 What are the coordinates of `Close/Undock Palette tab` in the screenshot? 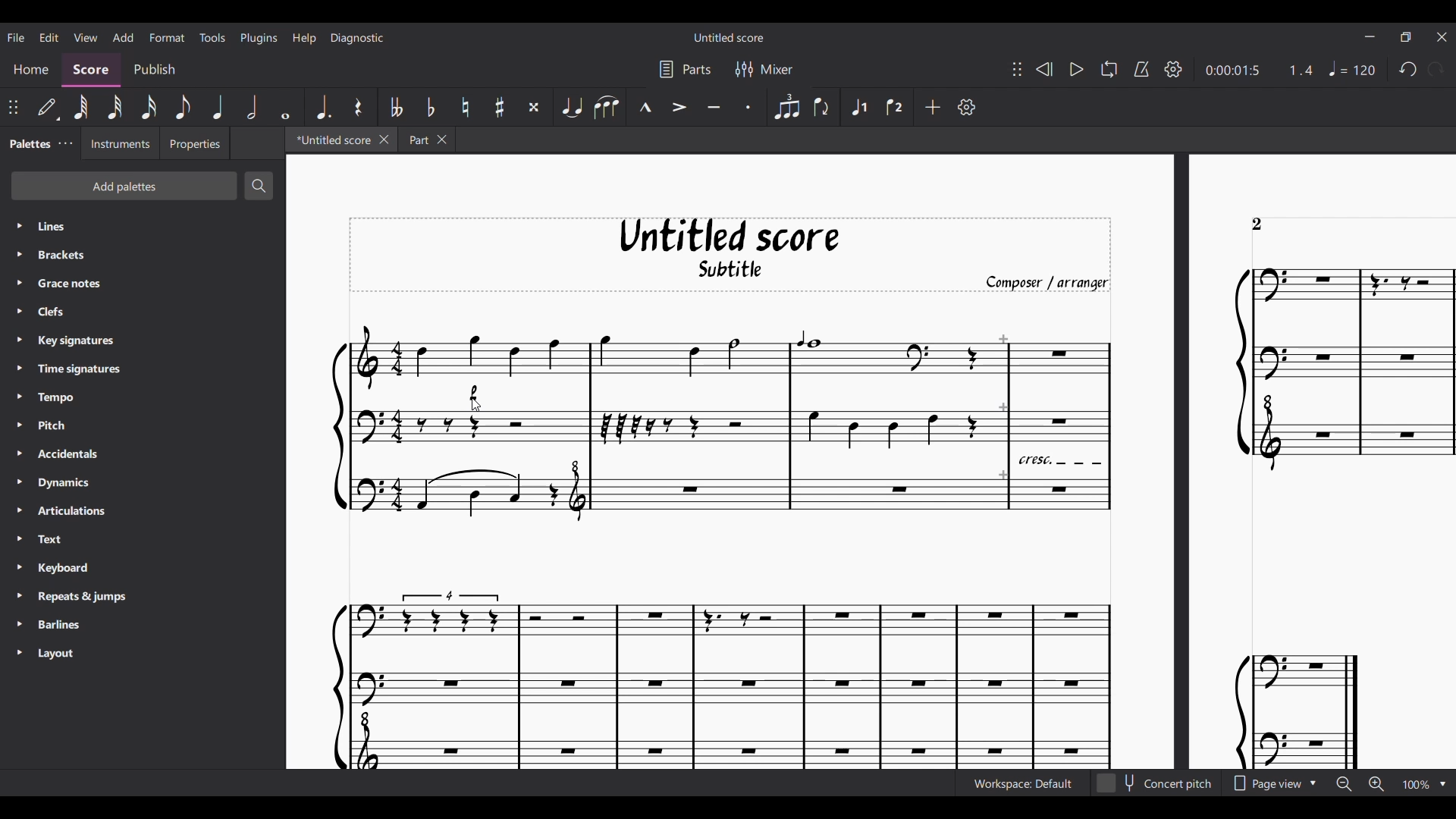 It's located at (66, 143).